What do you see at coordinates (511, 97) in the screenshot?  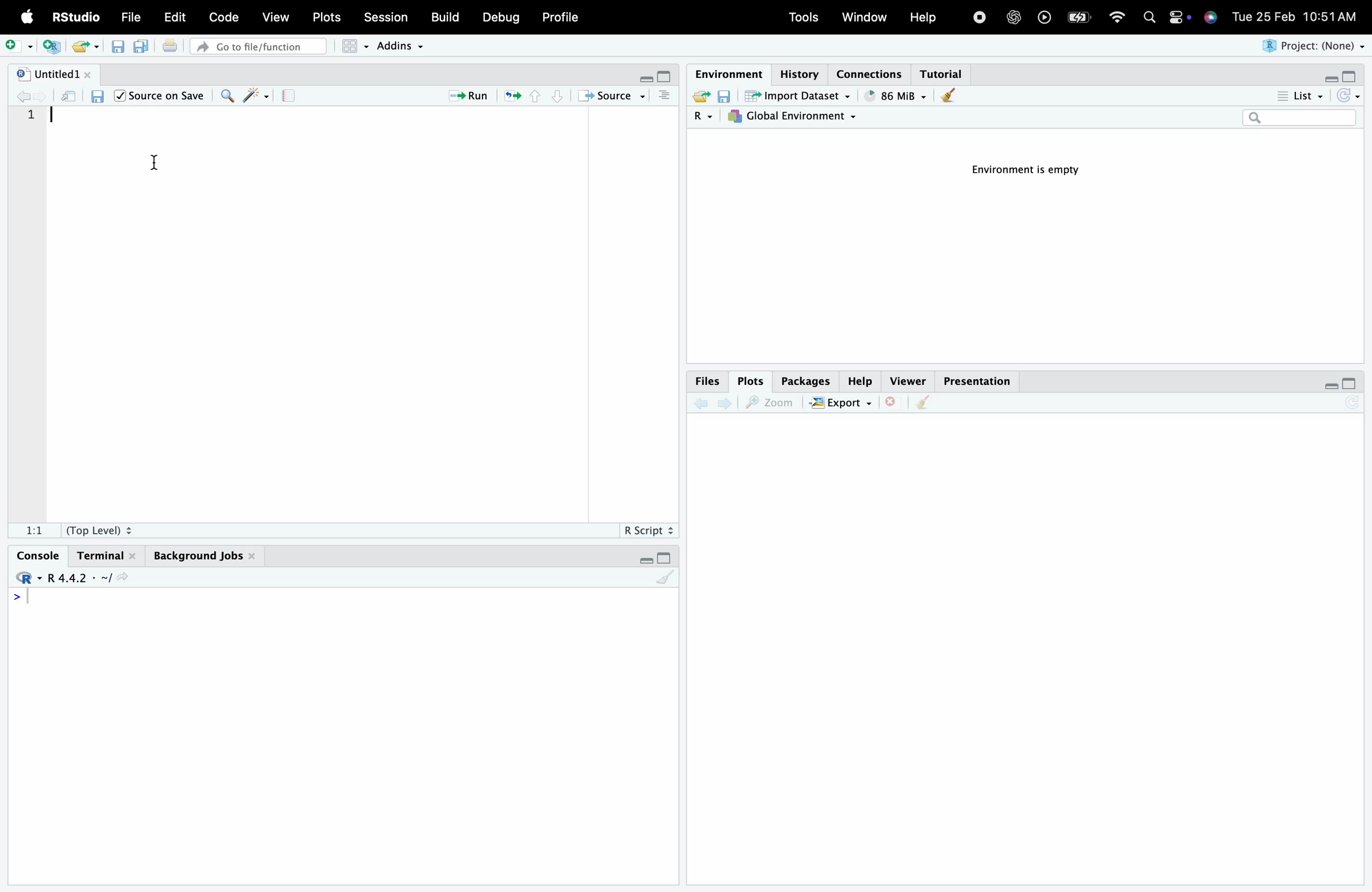 I see `refresh` at bounding box center [511, 97].